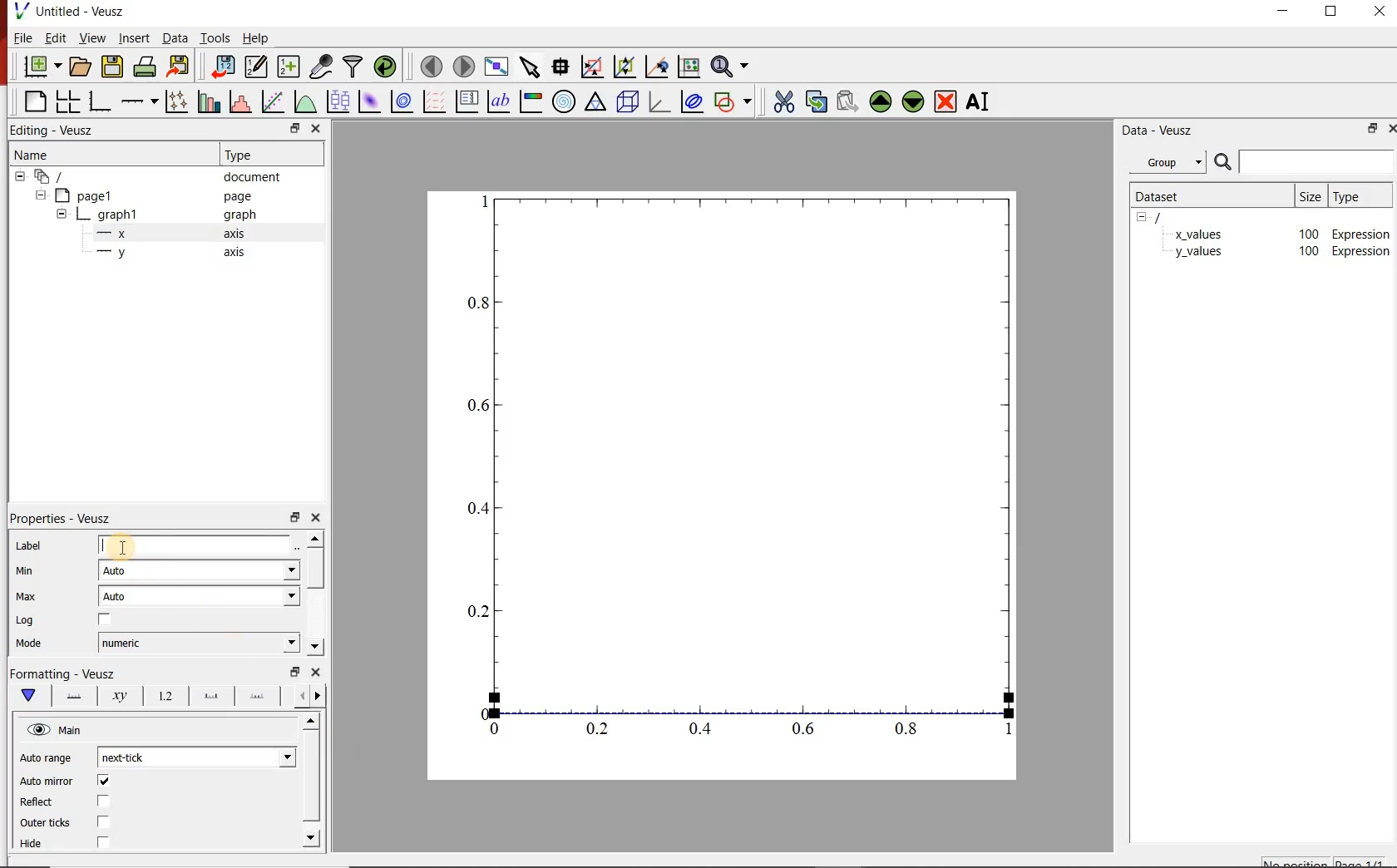 Image resolution: width=1397 pixels, height=868 pixels. Describe the element at coordinates (321, 66) in the screenshot. I see `capture remote data` at that location.